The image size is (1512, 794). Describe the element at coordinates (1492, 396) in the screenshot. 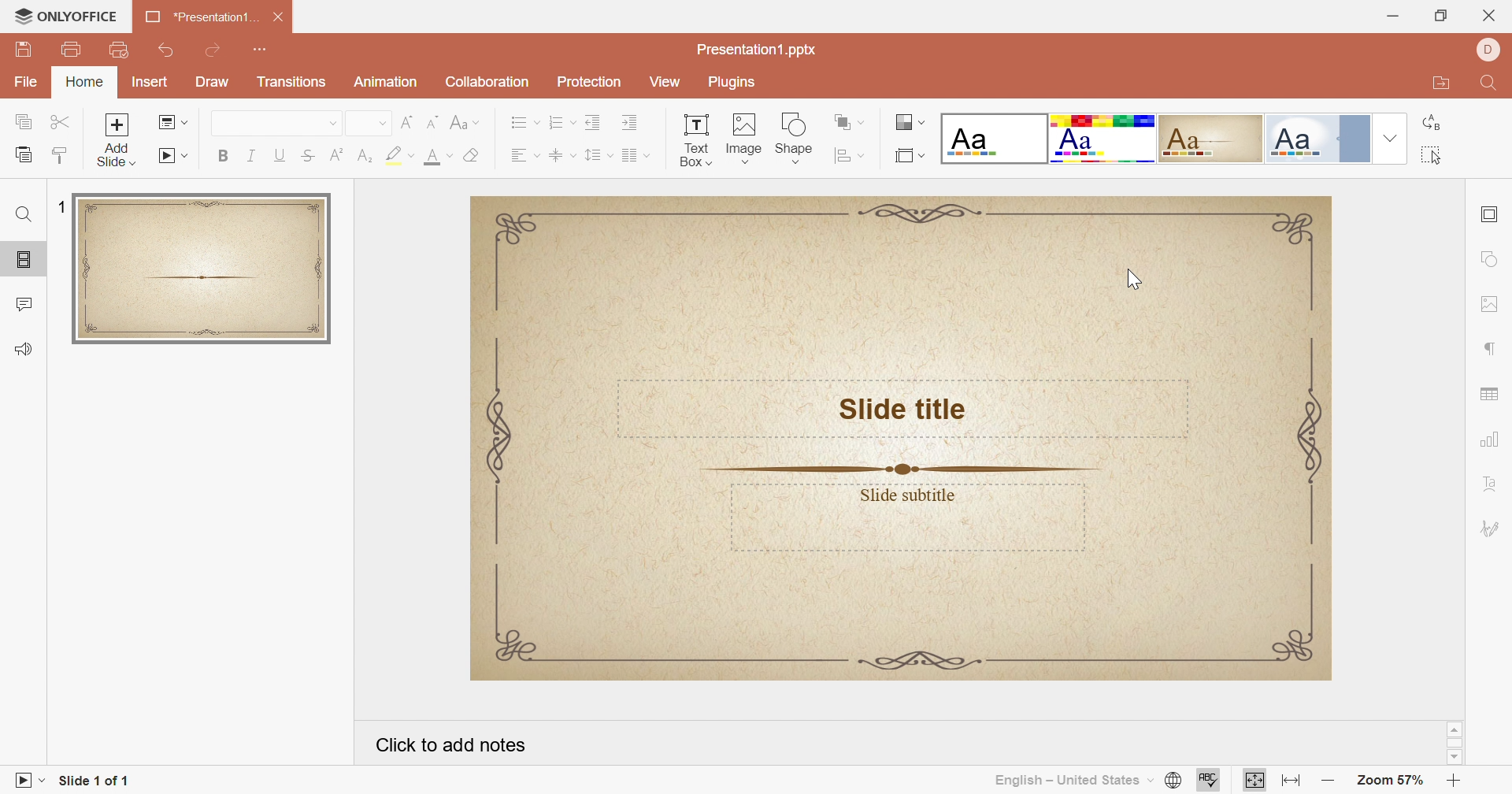

I see `Table settings` at that location.